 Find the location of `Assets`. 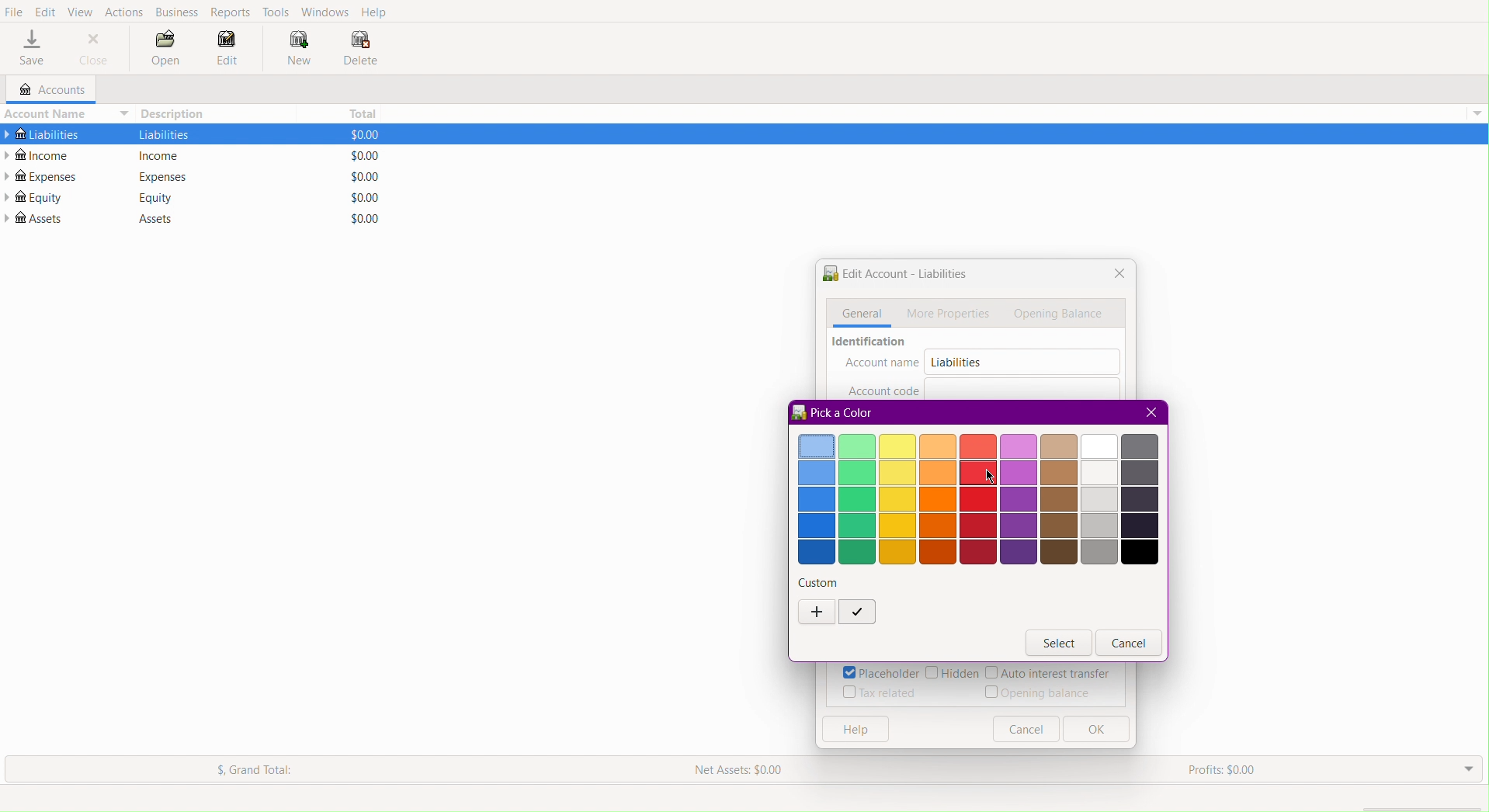

Assets is located at coordinates (36, 218).